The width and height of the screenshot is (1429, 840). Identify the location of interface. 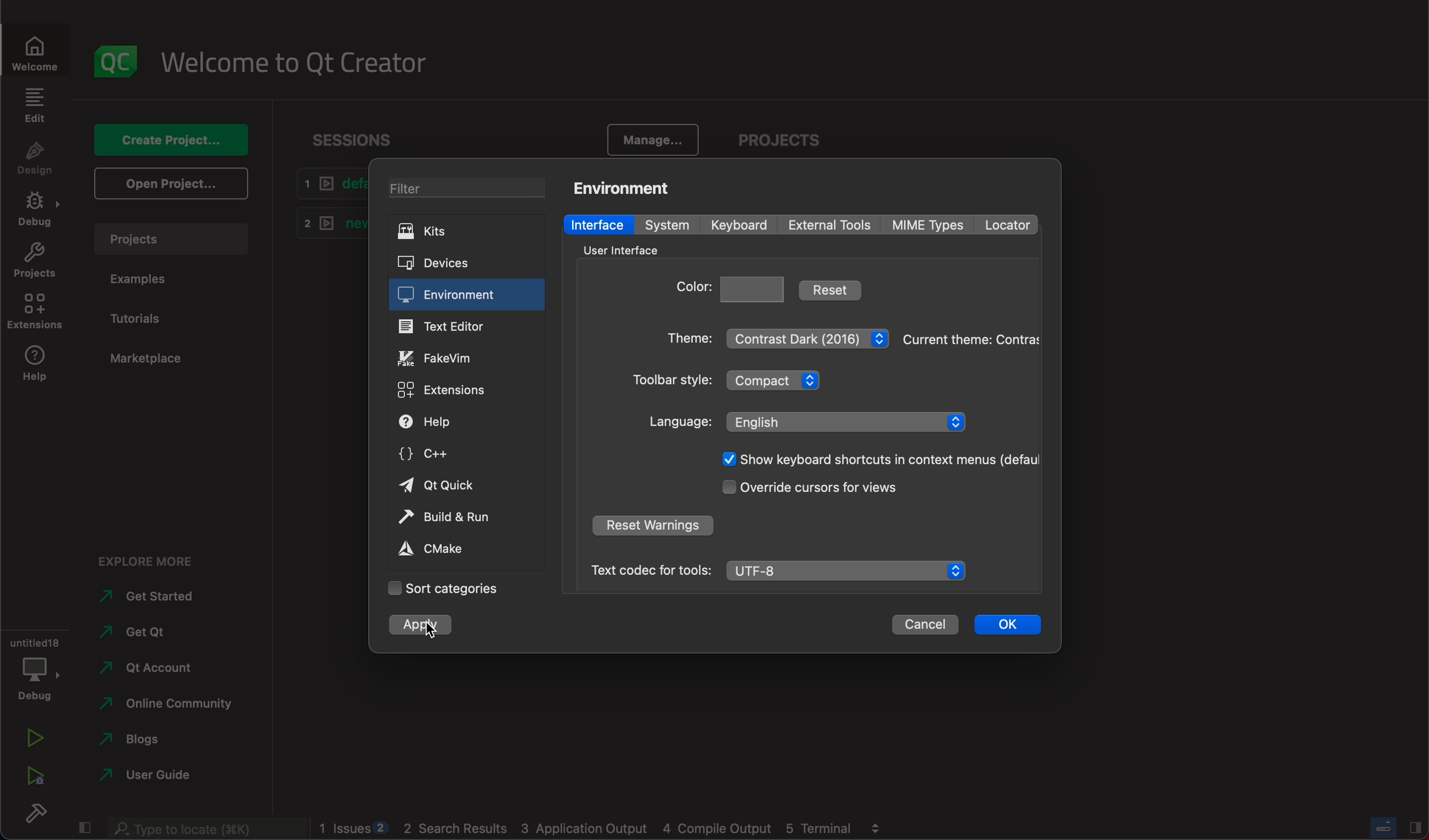
(597, 224).